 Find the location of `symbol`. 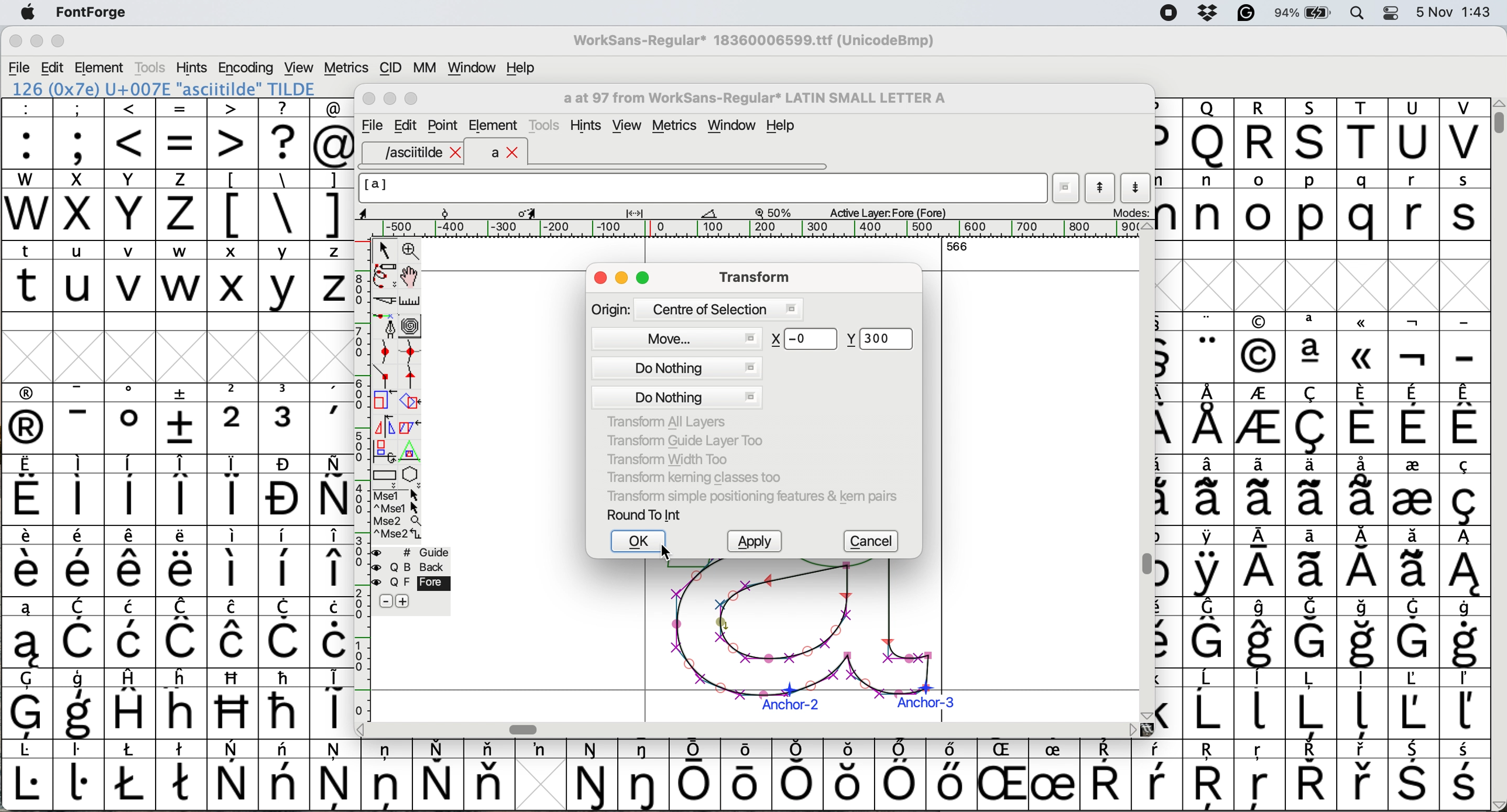

symbol is located at coordinates (284, 562).